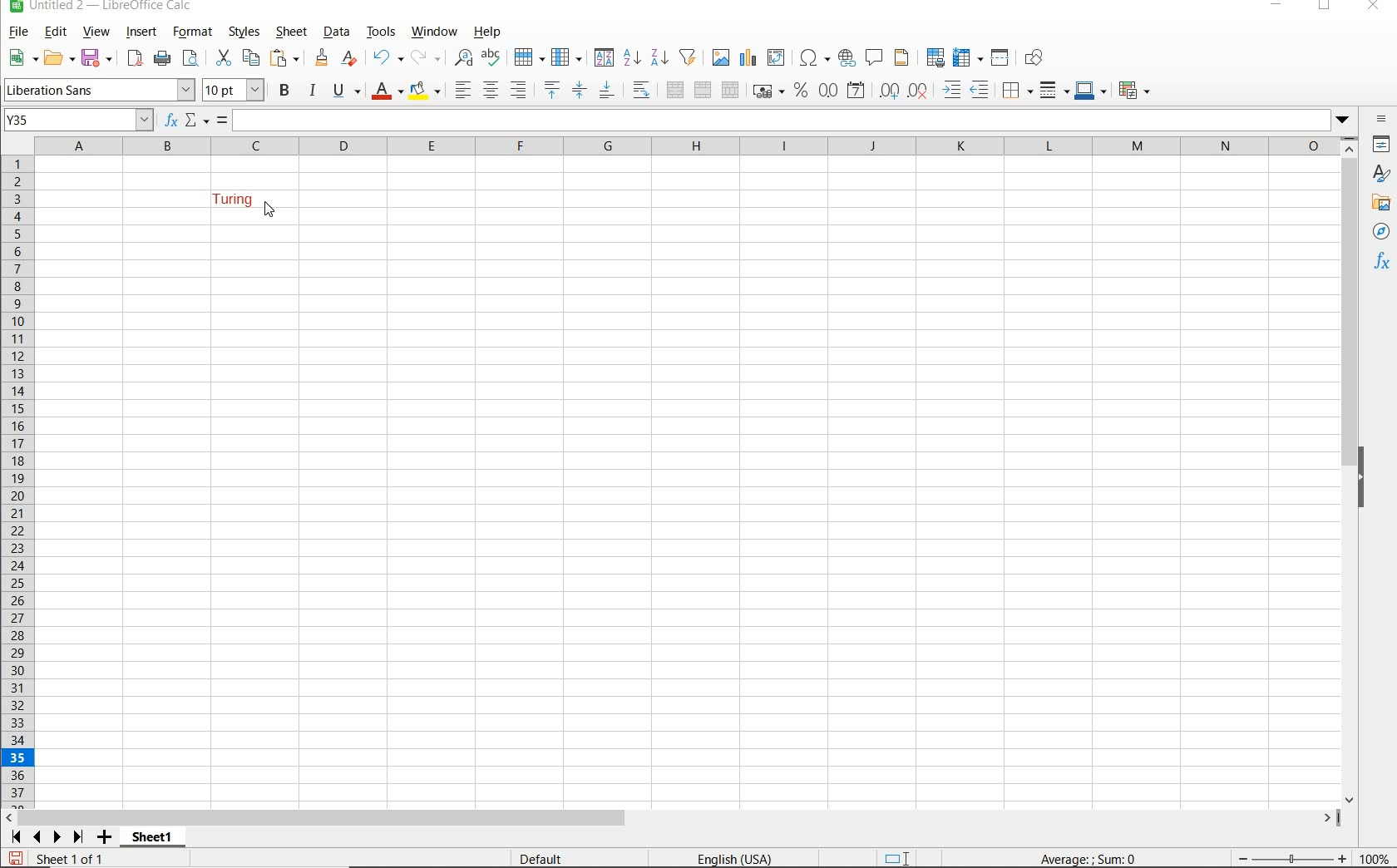  Describe the element at coordinates (901, 58) in the screenshot. I see `HEADERS AND FOOTERS` at that location.